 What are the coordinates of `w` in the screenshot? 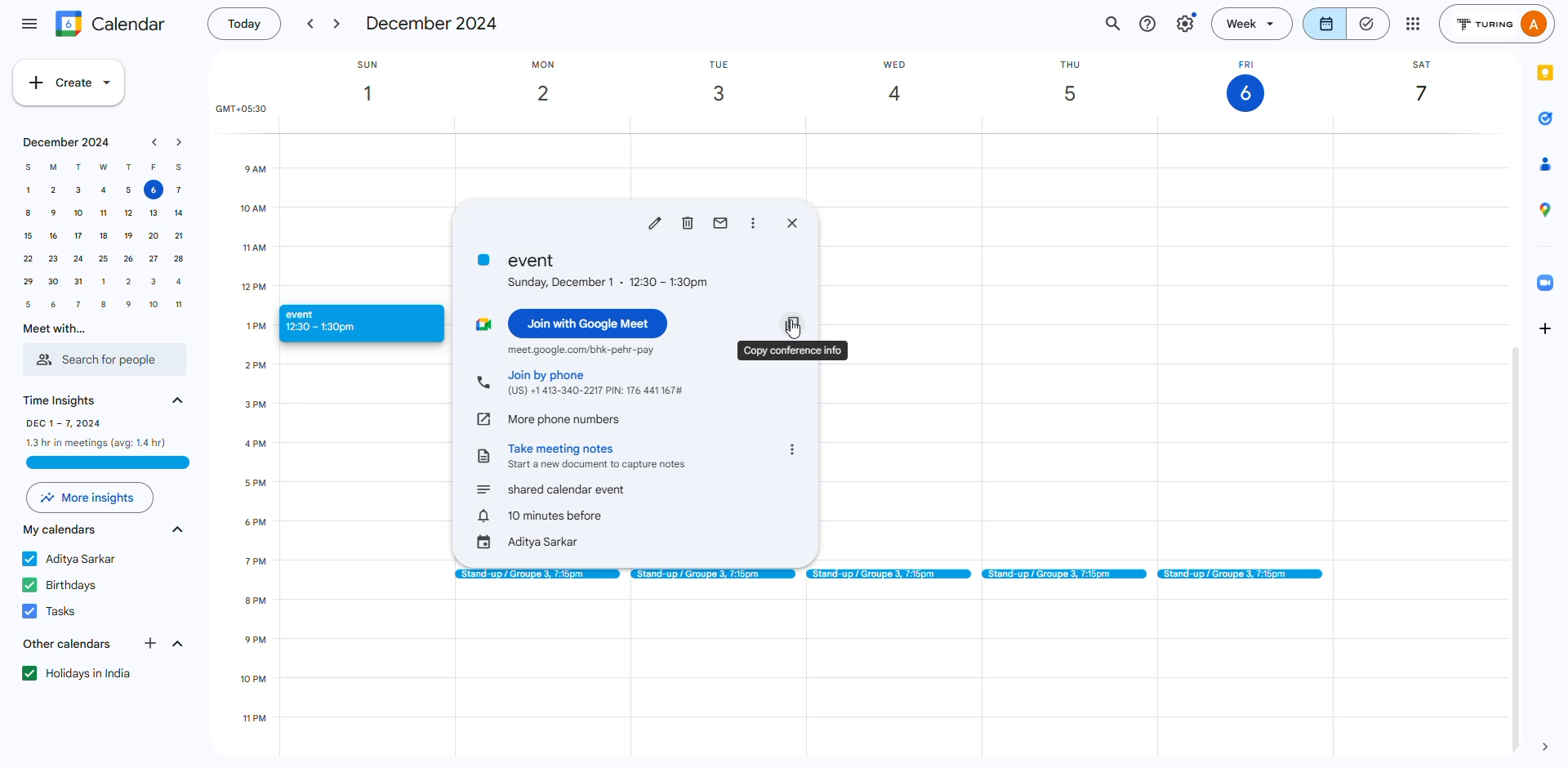 It's located at (102, 167).